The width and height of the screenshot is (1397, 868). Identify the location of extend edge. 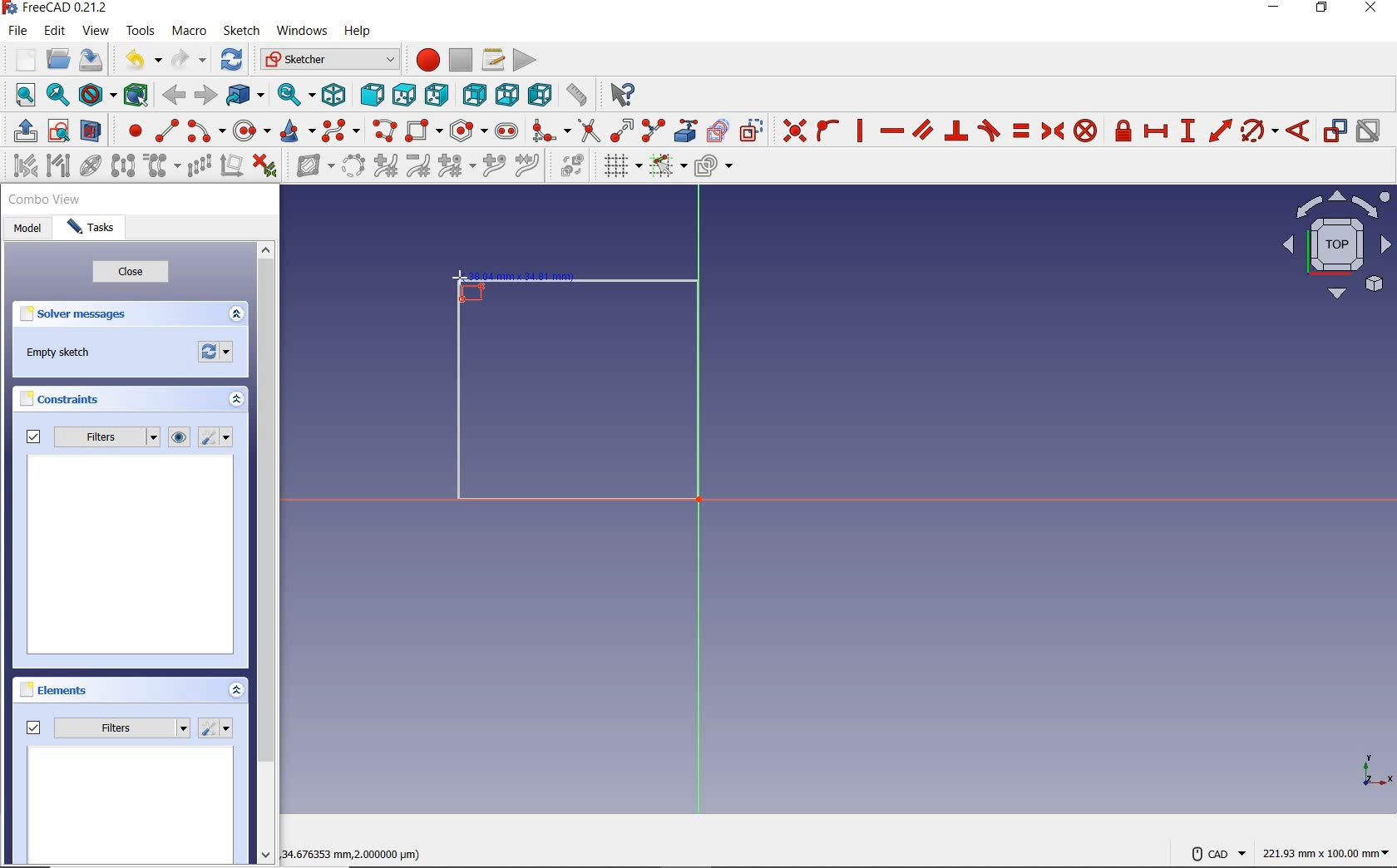
(623, 131).